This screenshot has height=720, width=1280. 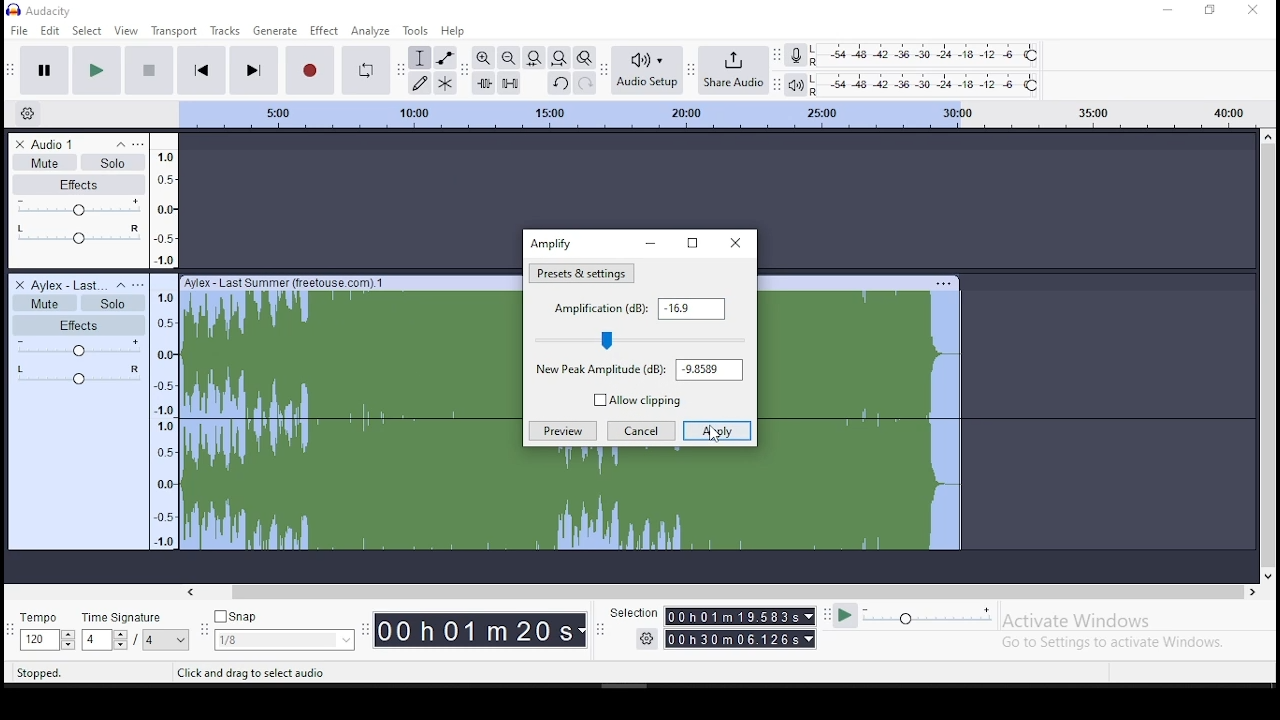 I want to click on playback level, so click(x=925, y=83).